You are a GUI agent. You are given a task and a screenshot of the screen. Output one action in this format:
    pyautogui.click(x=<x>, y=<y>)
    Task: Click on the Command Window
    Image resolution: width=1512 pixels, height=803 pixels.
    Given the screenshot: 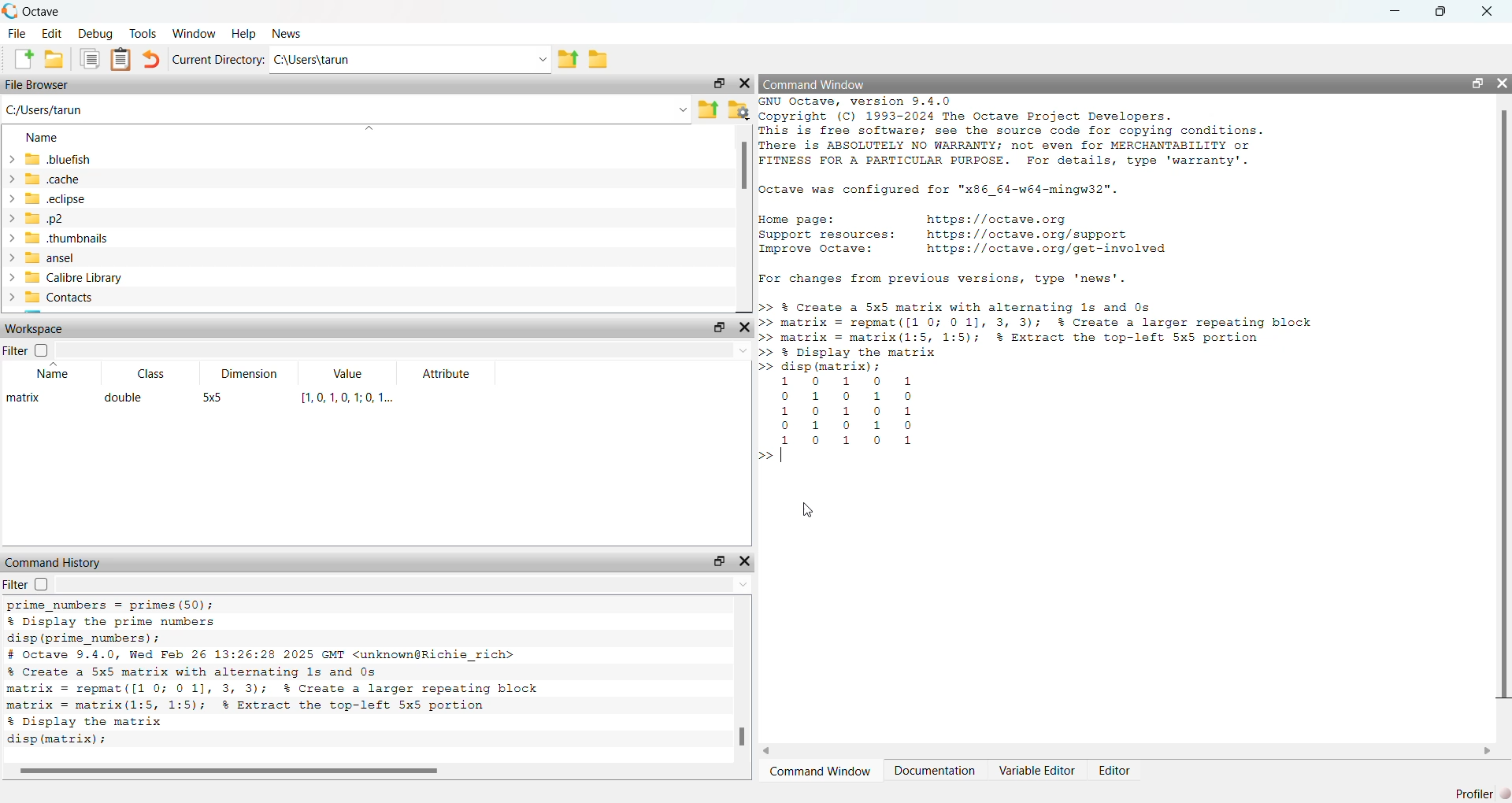 What is the action you would take?
    pyautogui.click(x=821, y=770)
    